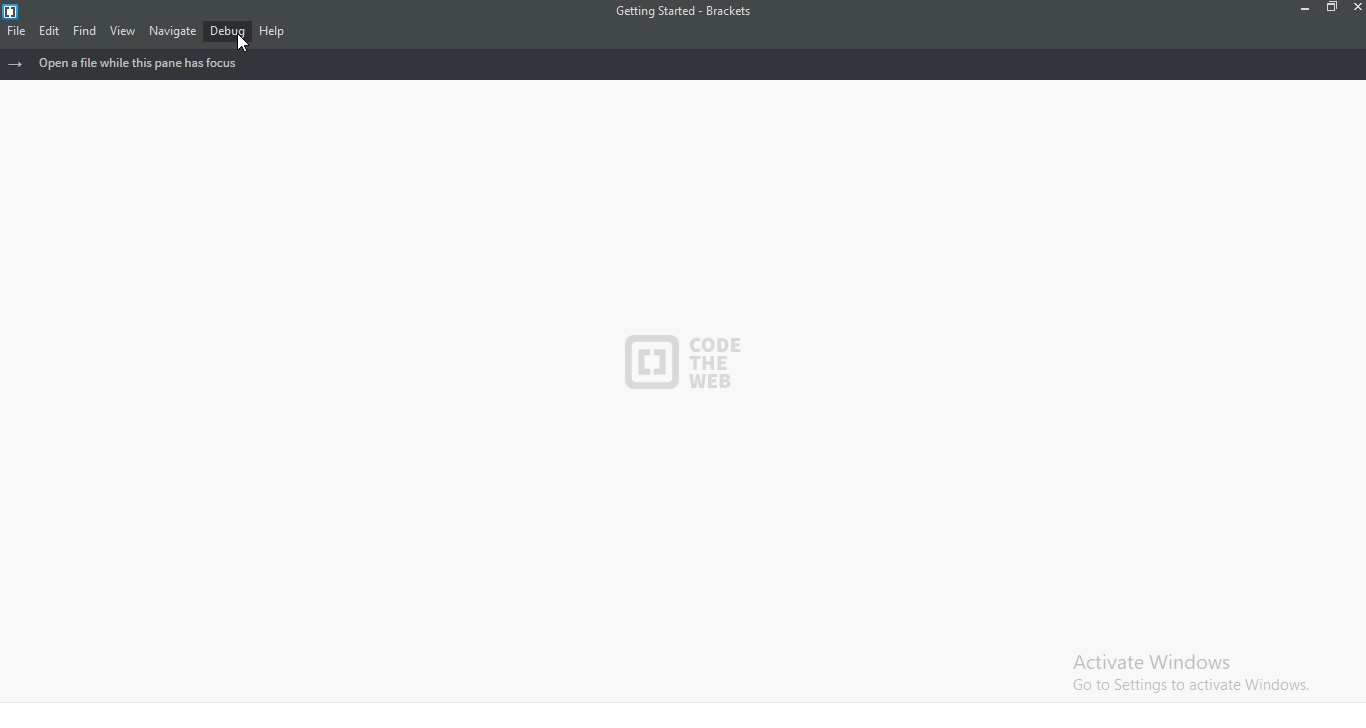 The image size is (1366, 728). I want to click on find, so click(85, 31).